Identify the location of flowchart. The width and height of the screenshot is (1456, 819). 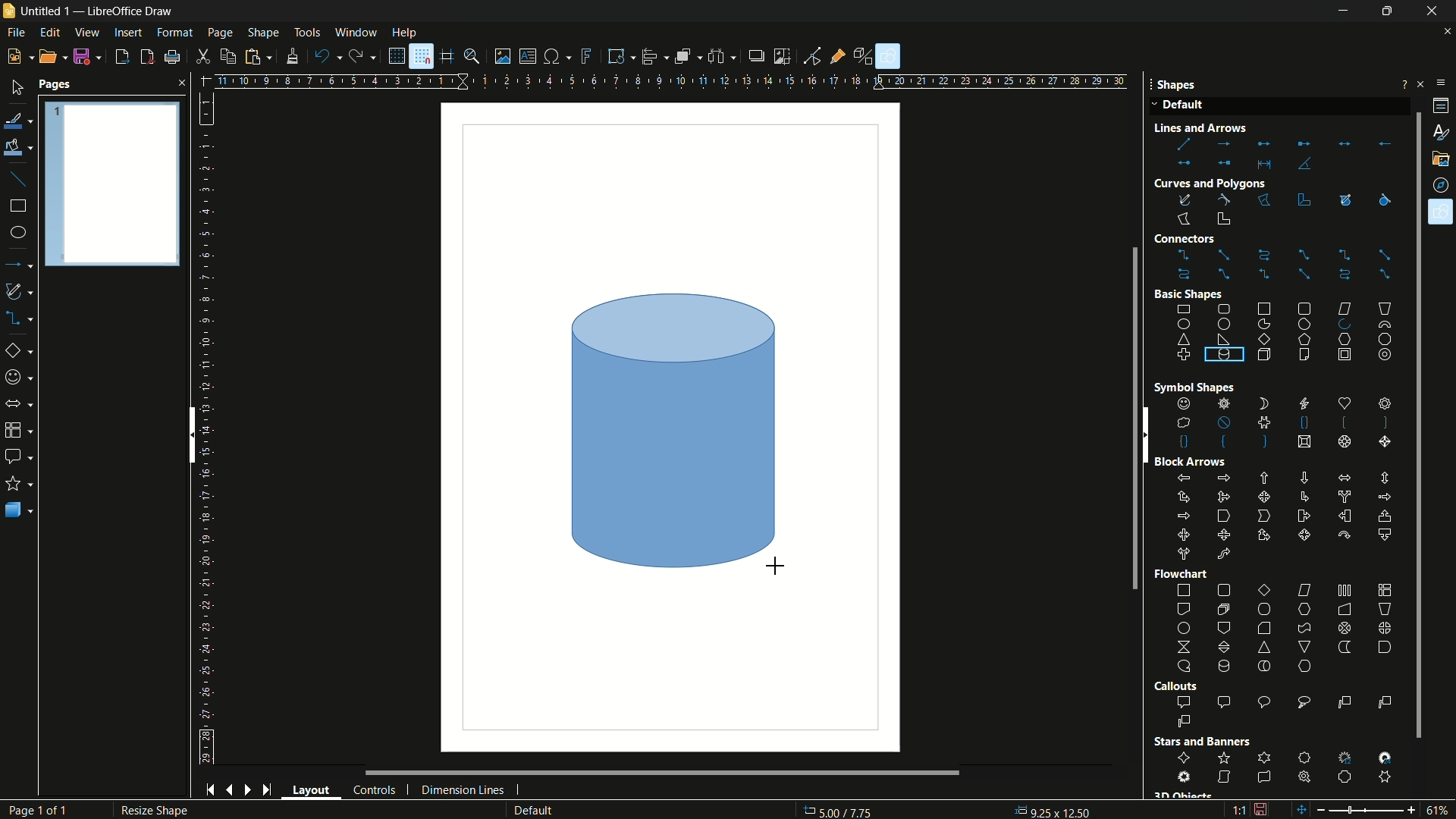
(1285, 629).